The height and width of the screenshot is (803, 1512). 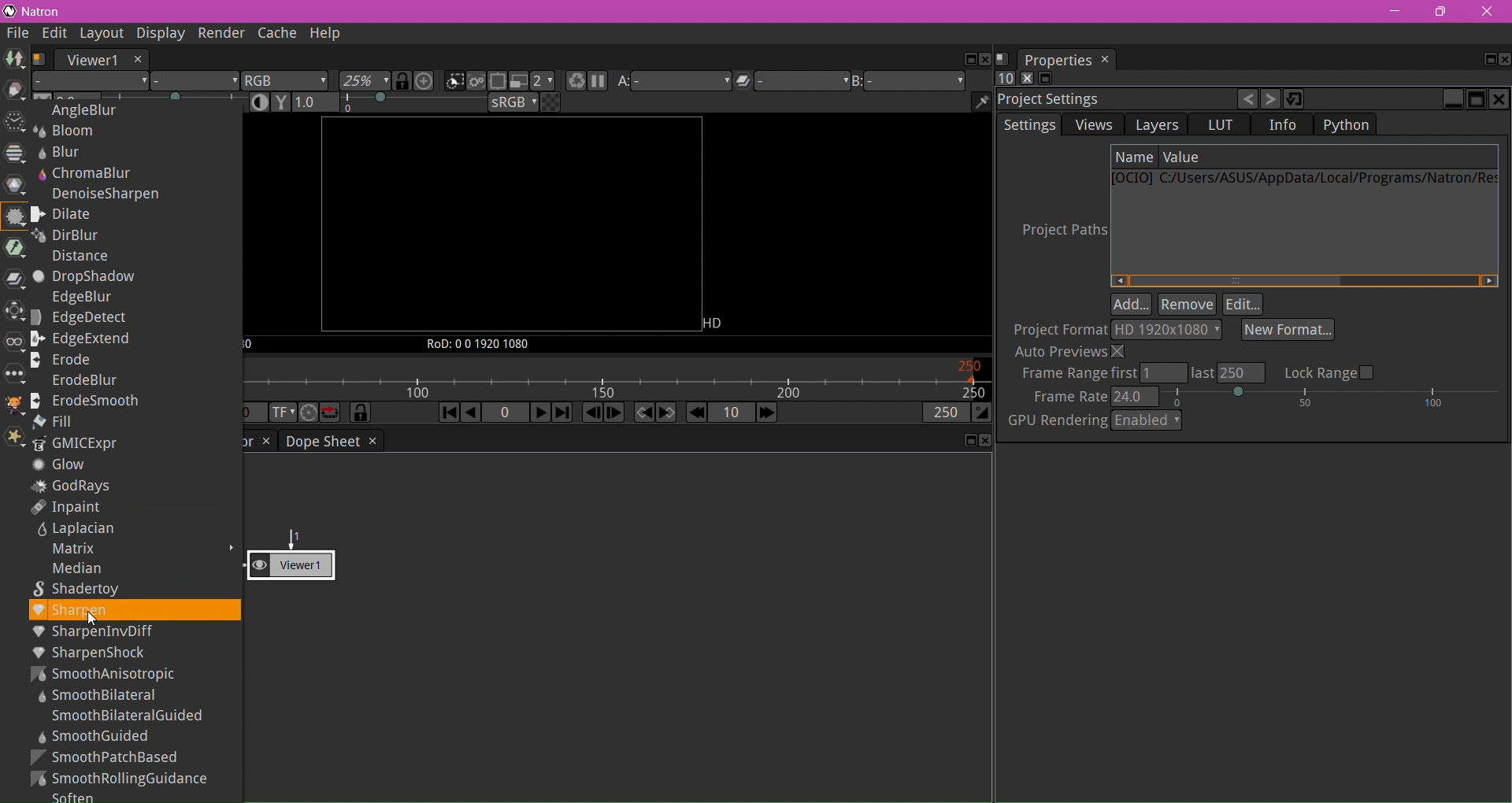 What do you see at coordinates (91, 652) in the screenshot?
I see `SharpenShock` at bounding box center [91, 652].